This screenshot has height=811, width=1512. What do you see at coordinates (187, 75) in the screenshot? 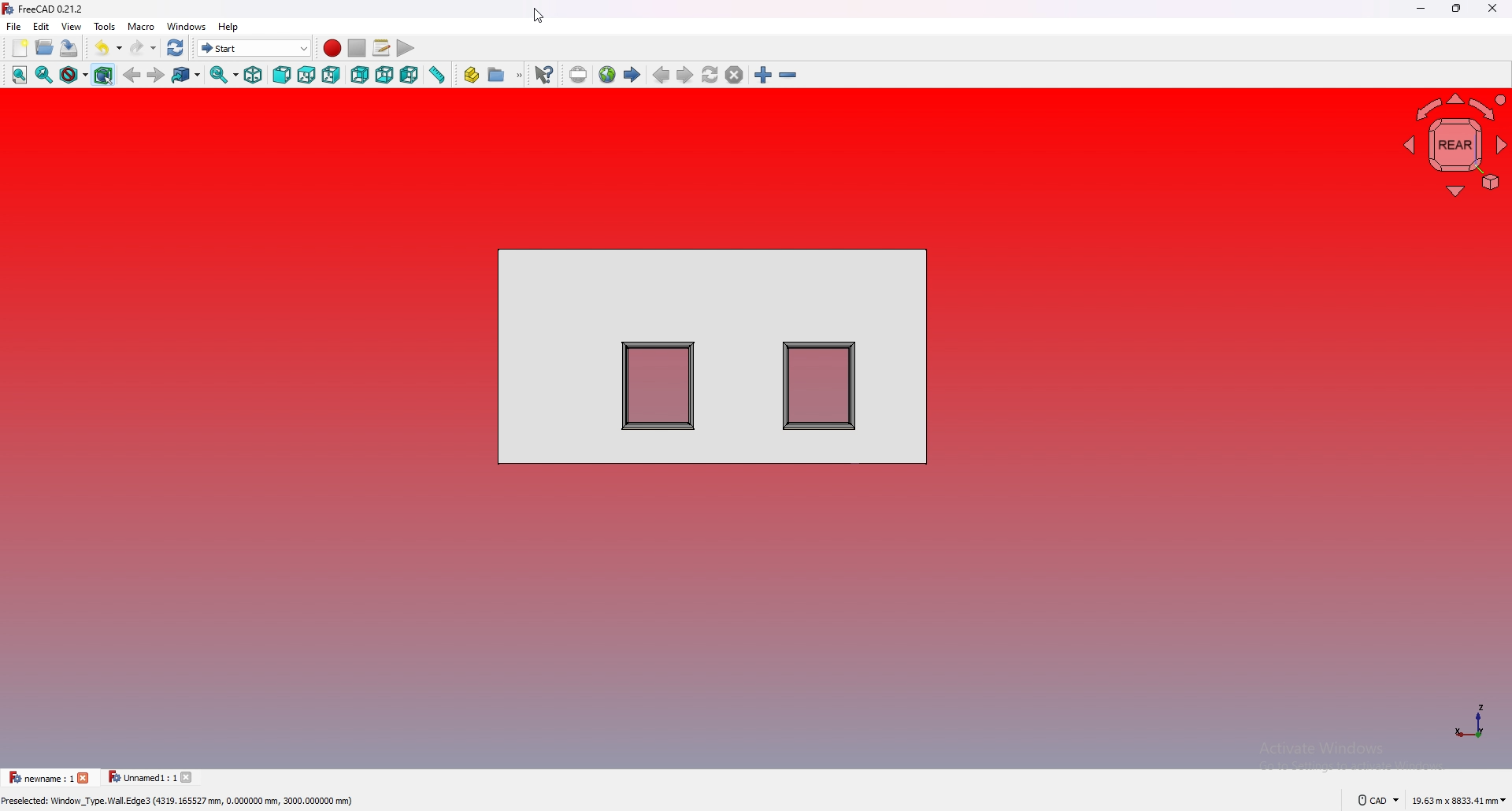
I see `go to linked object` at bounding box center [187, 75].